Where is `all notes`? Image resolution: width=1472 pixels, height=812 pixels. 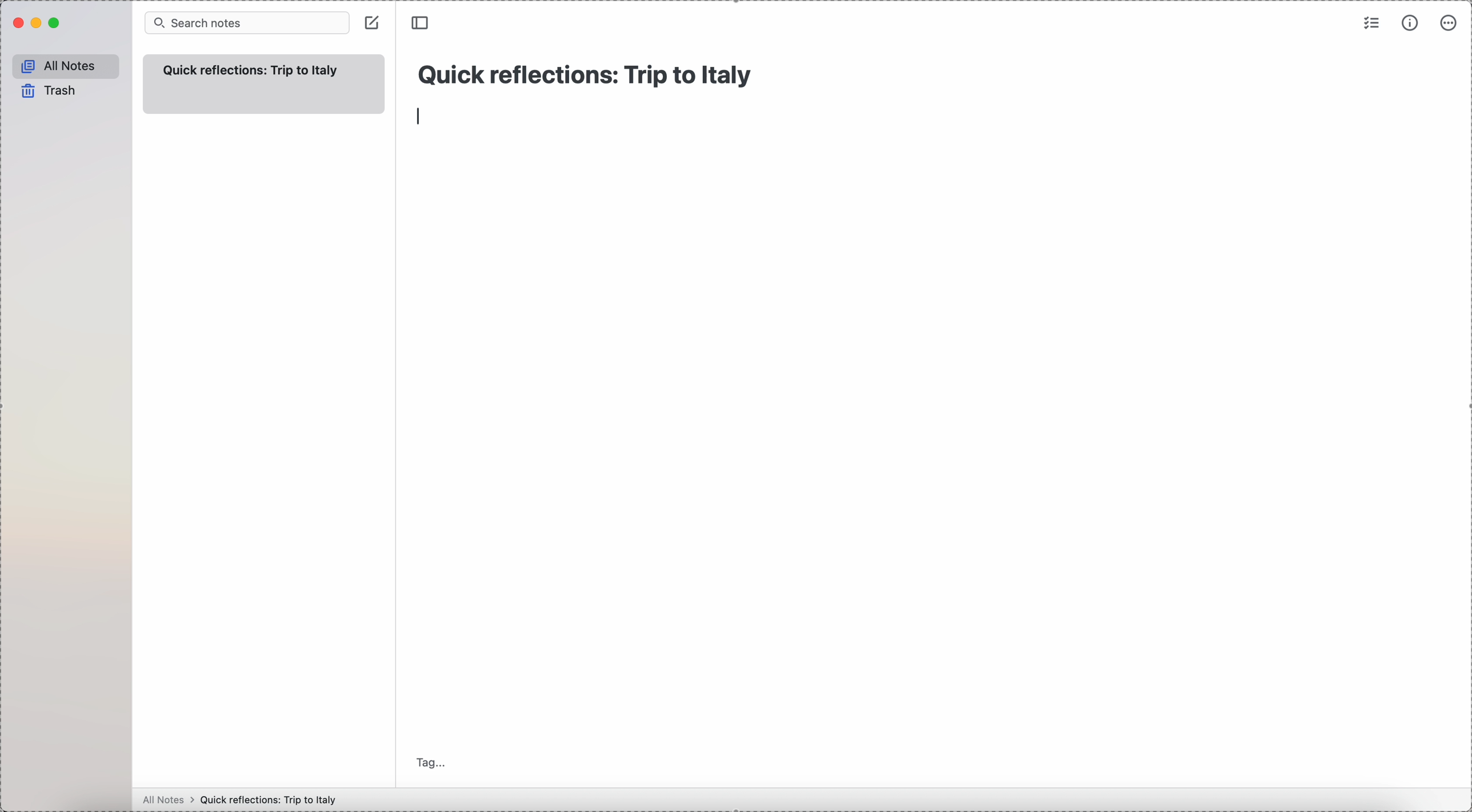 all notes is located at coordinates (165, 801).